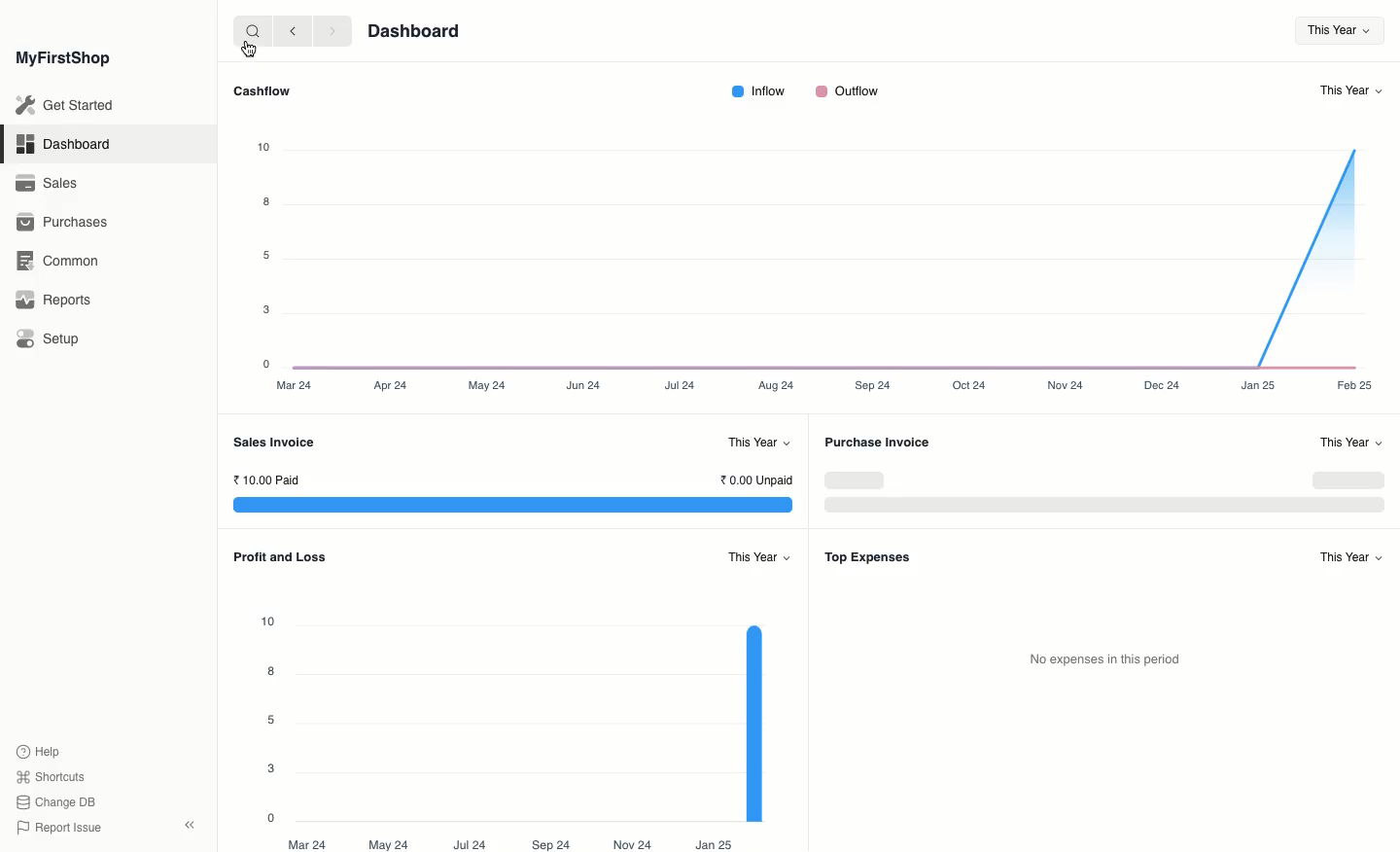 This screenshot has width=1400, height=852. What do you see at coordinates (758, 558) in the screenshot?
I see `This Year` at bounding box center [758, 558].